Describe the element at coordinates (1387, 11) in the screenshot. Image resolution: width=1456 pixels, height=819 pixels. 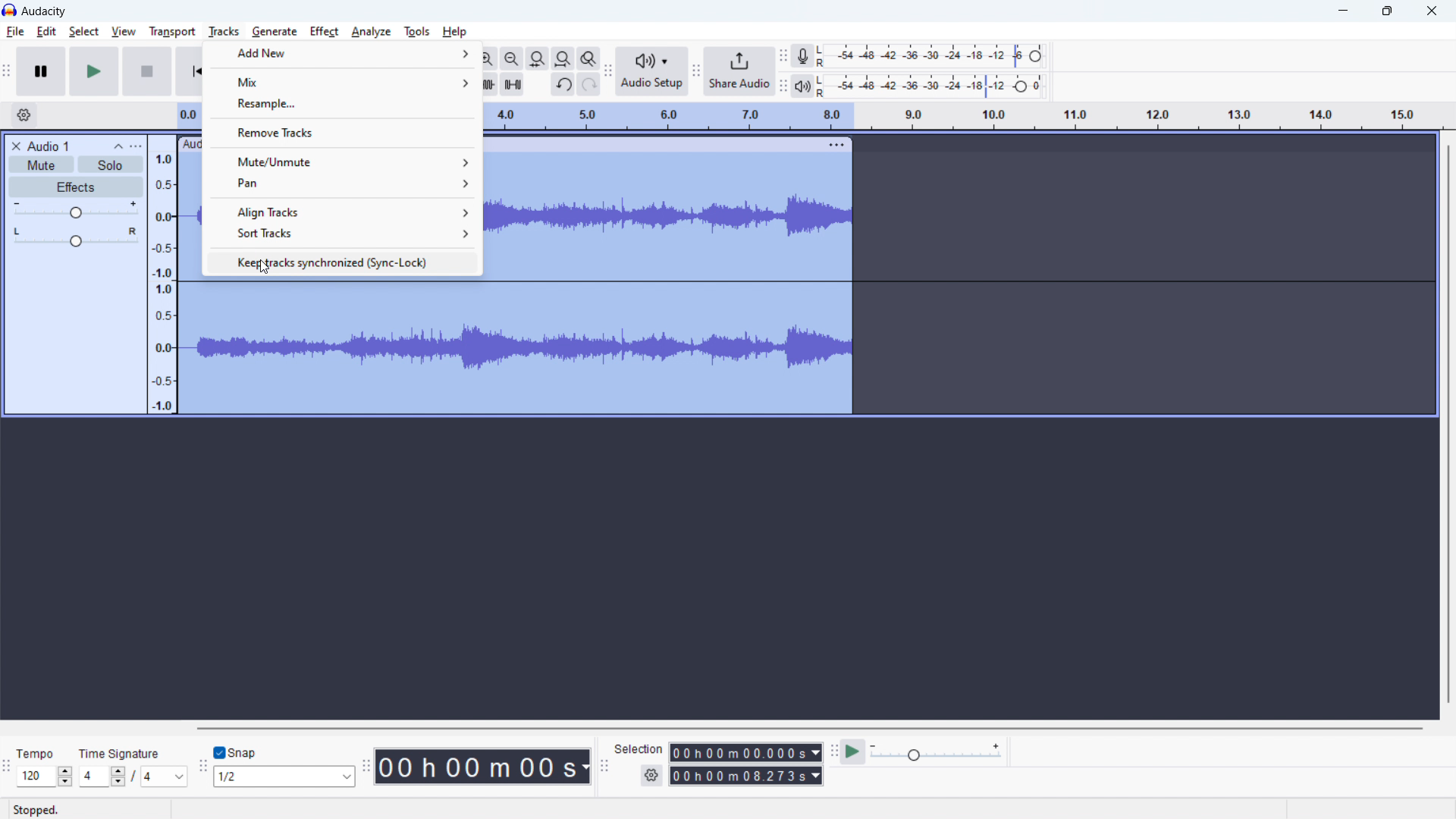
I see `maximize` at that location.